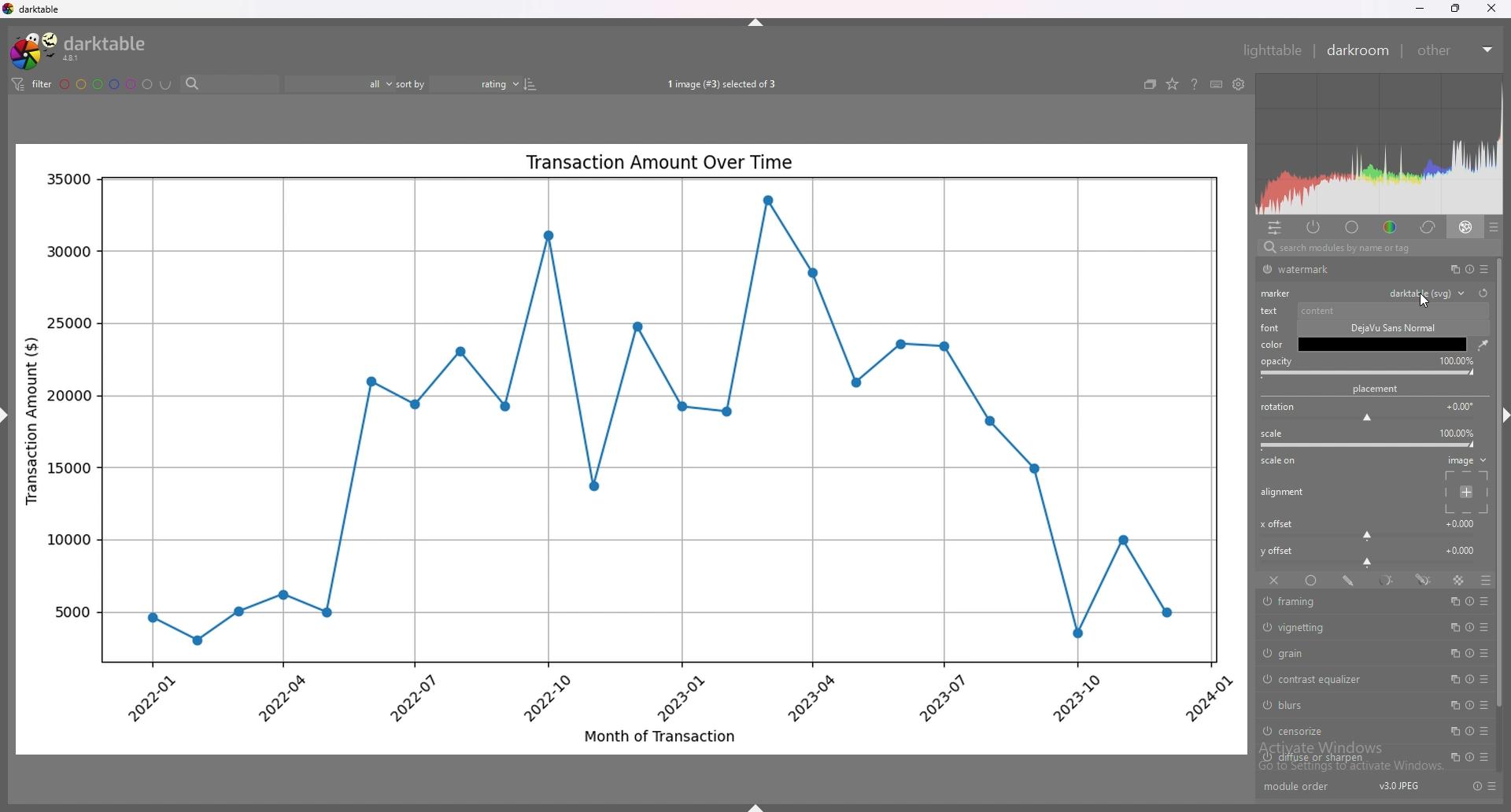  What do you see at coordinates (1457, 360) in the screenshot?
I see `opacity` at bounding box center [1457, 360].